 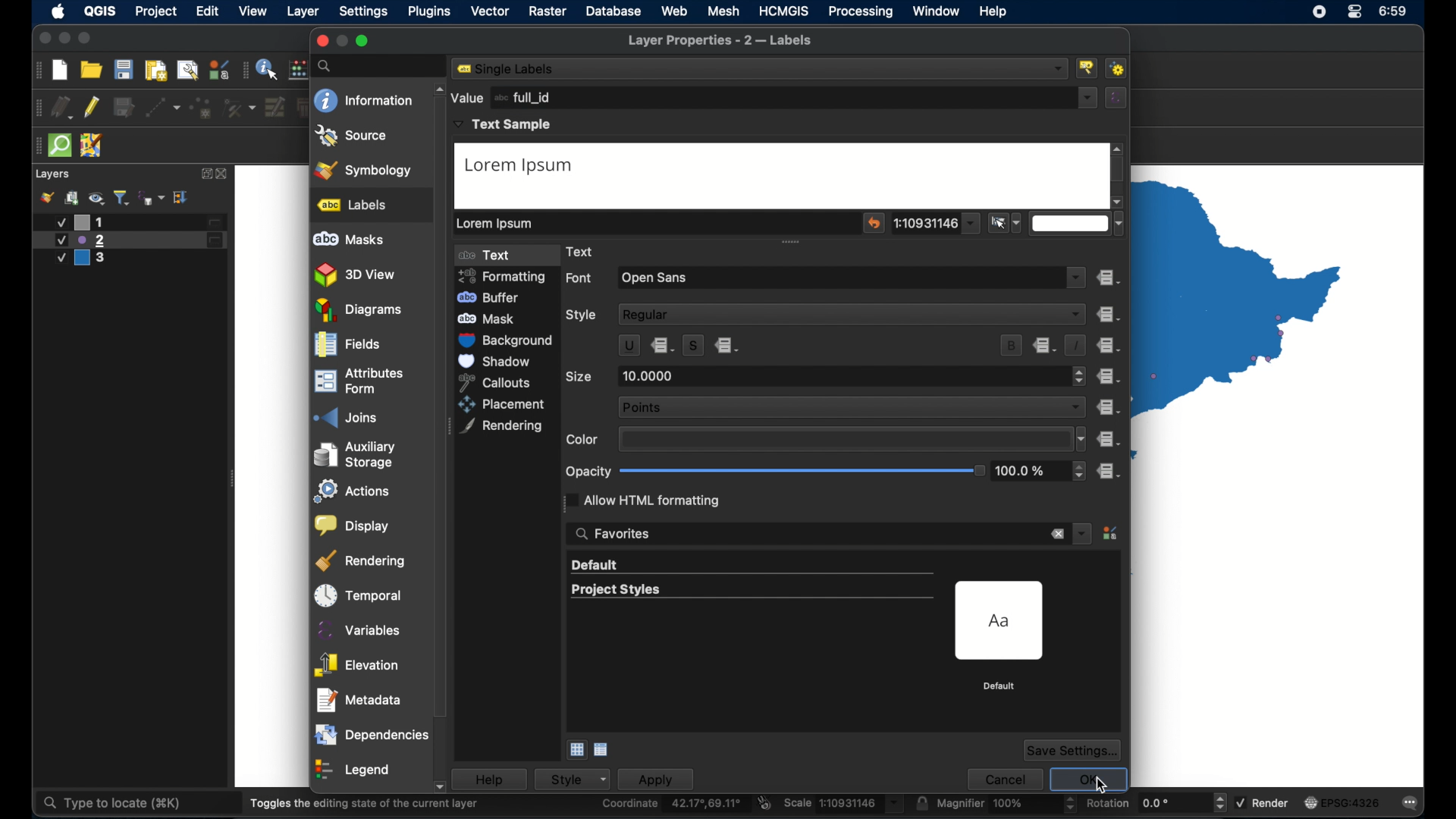 I want to click on lorem ipsum, so click(x=498, y=223).